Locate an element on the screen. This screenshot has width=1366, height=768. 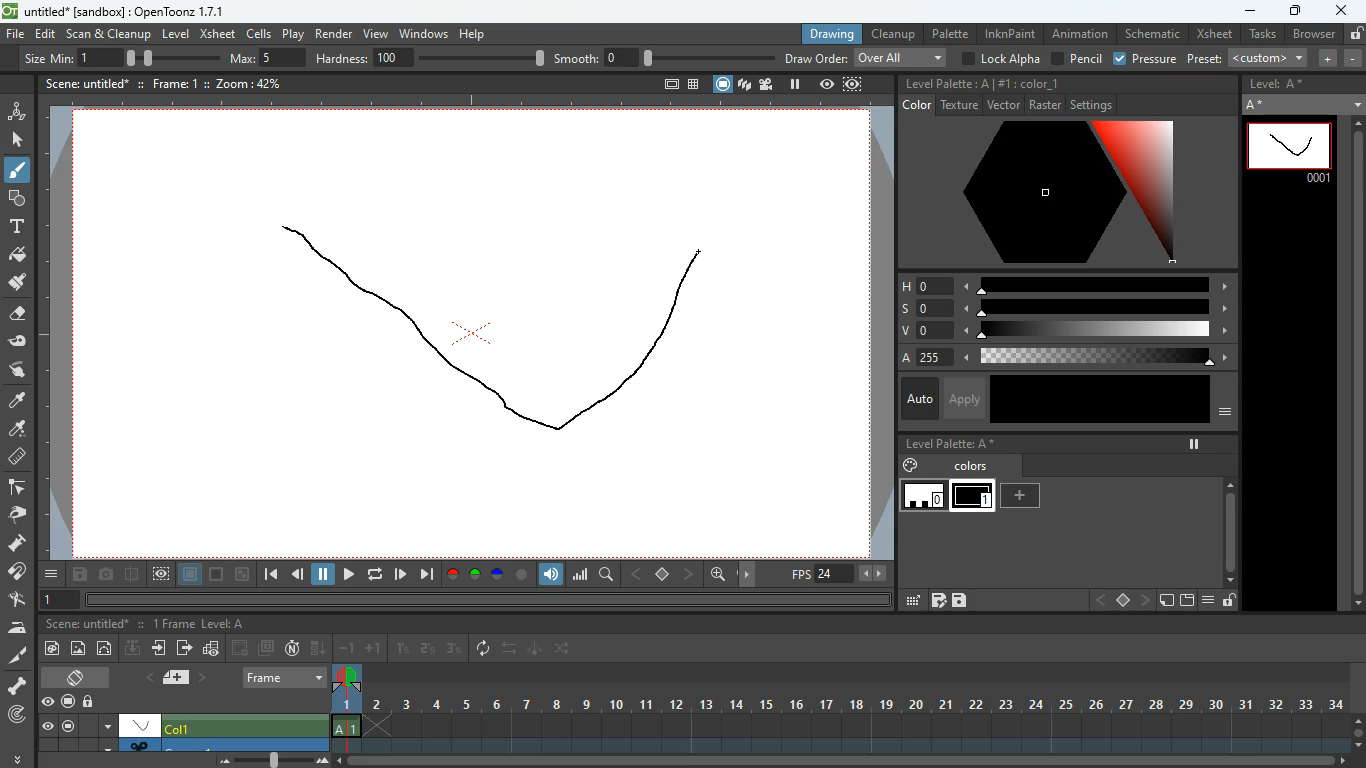
vector is located at coordinates (1002, 104).